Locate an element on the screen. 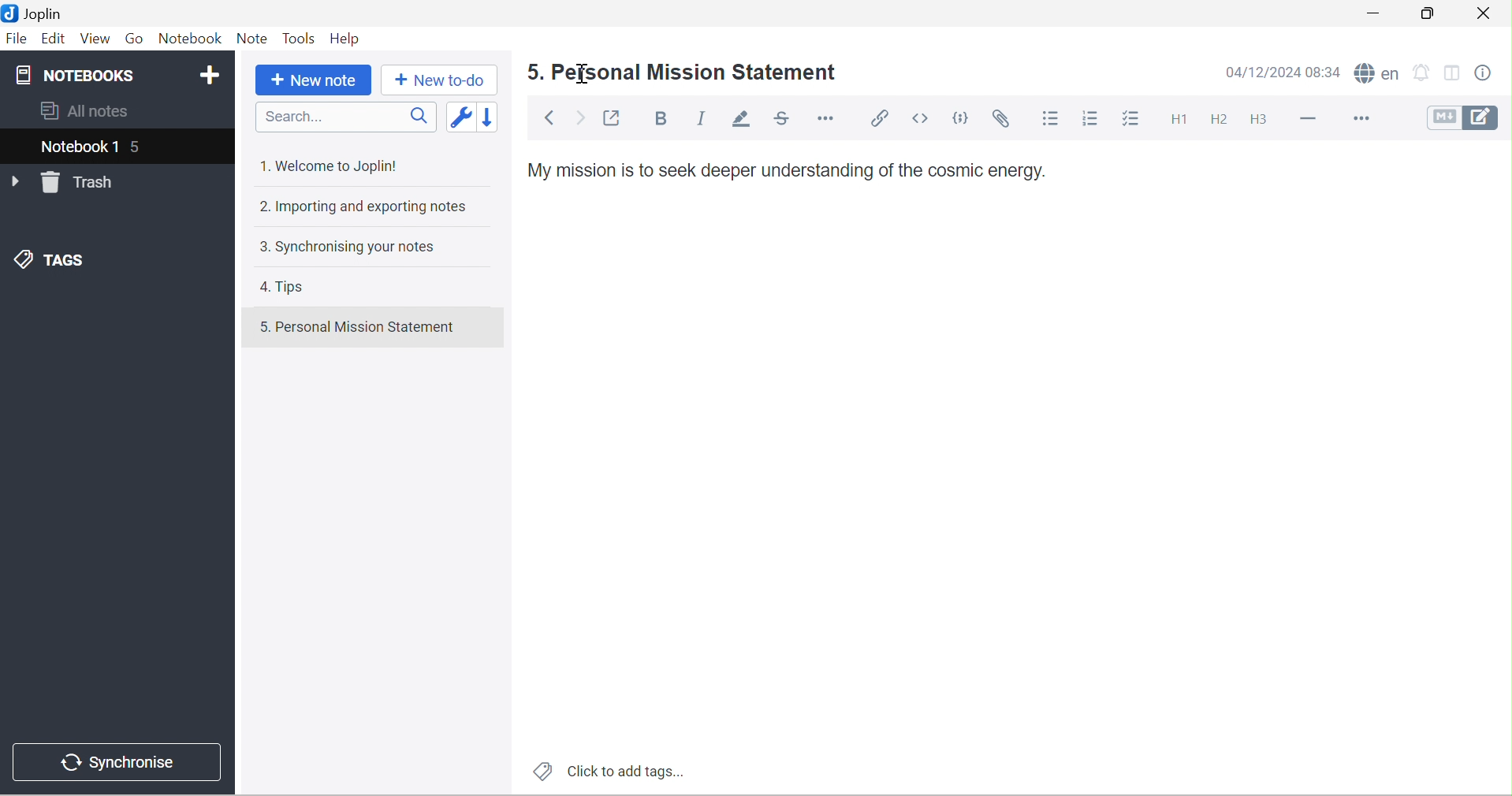 This screenshot has width=1512, height=796. Add notebook is located at coordinates (210, 76).